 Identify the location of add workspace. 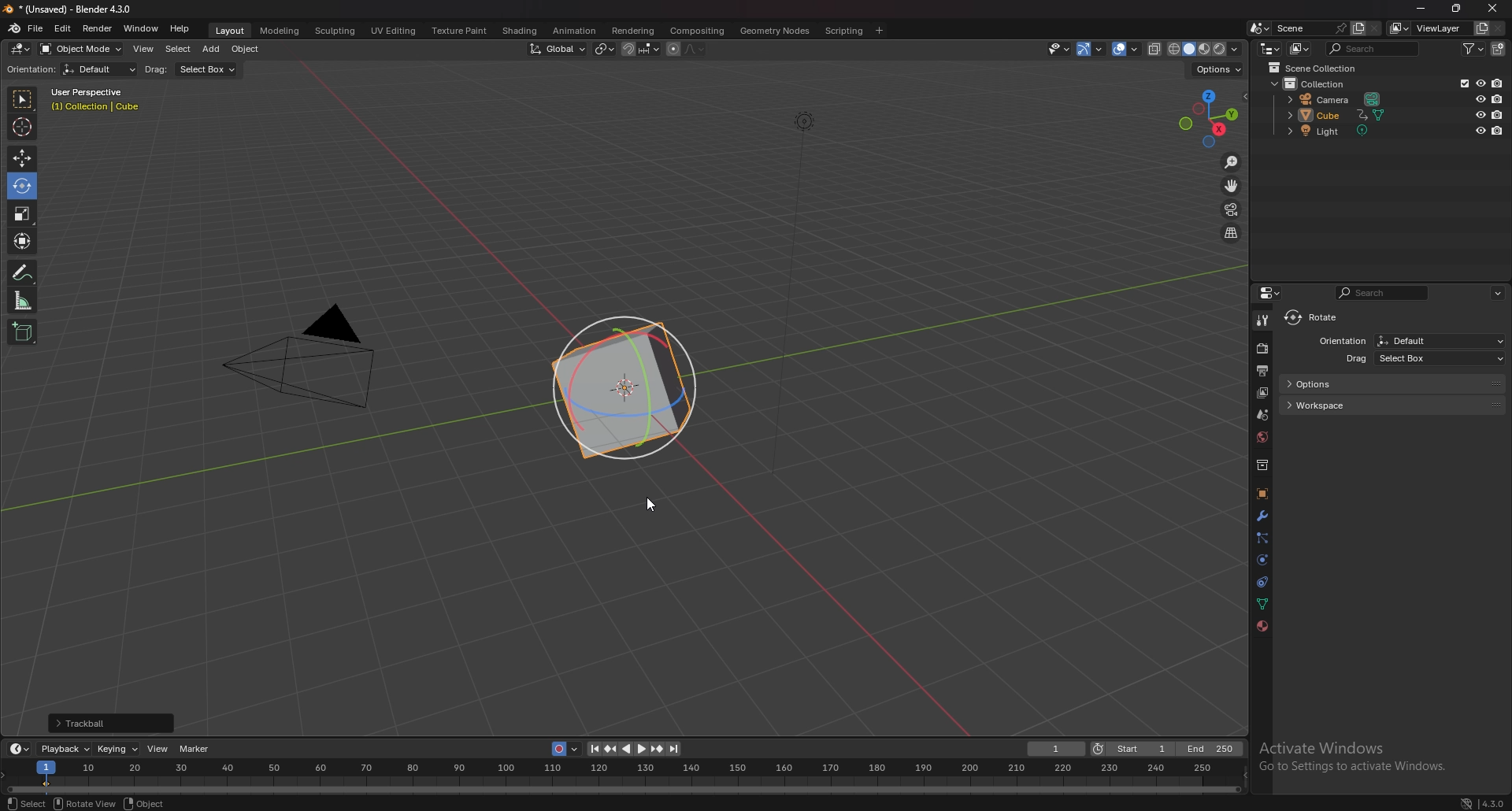
(880, 30).